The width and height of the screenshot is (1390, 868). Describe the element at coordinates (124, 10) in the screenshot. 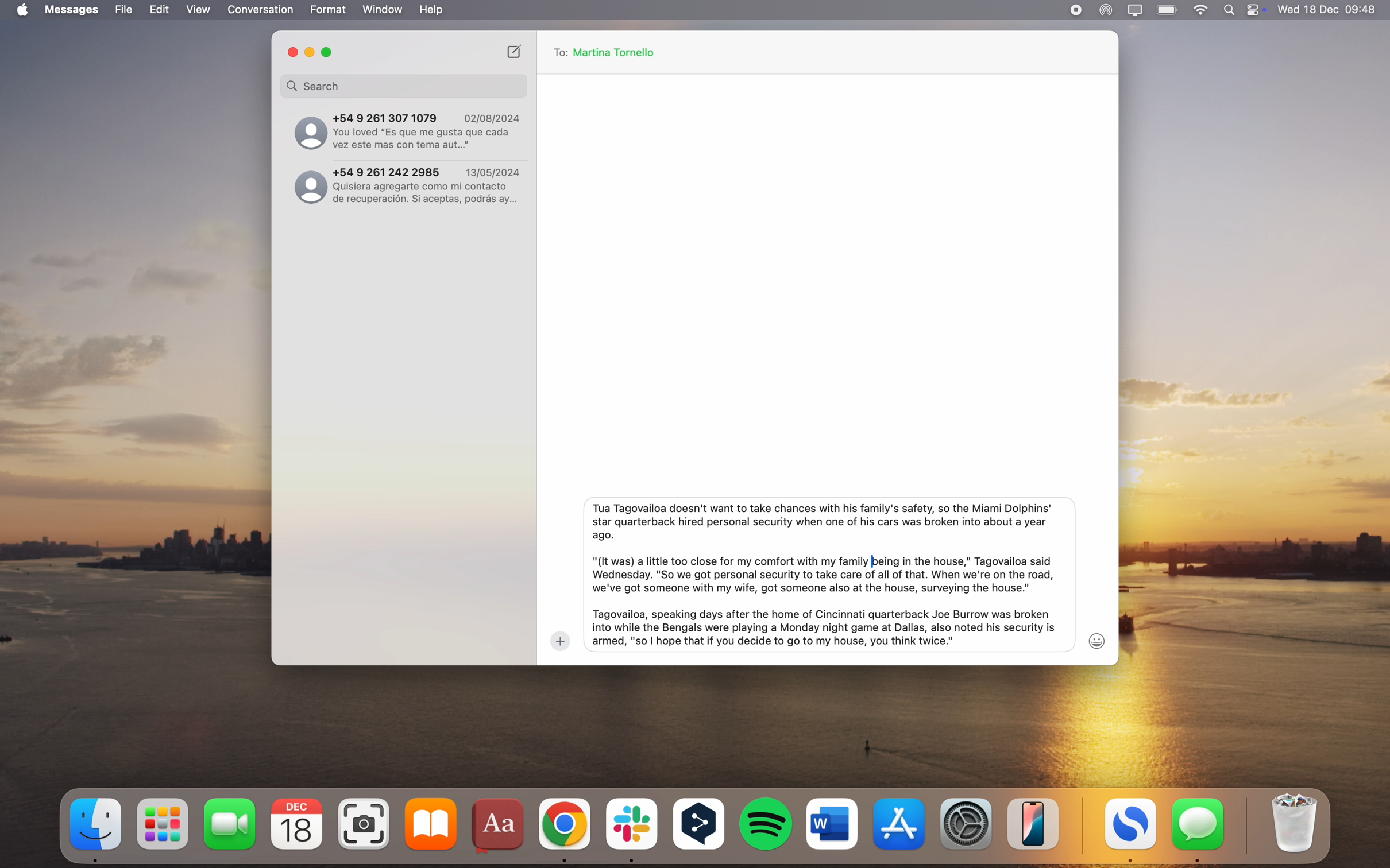

I see `file` at that location.